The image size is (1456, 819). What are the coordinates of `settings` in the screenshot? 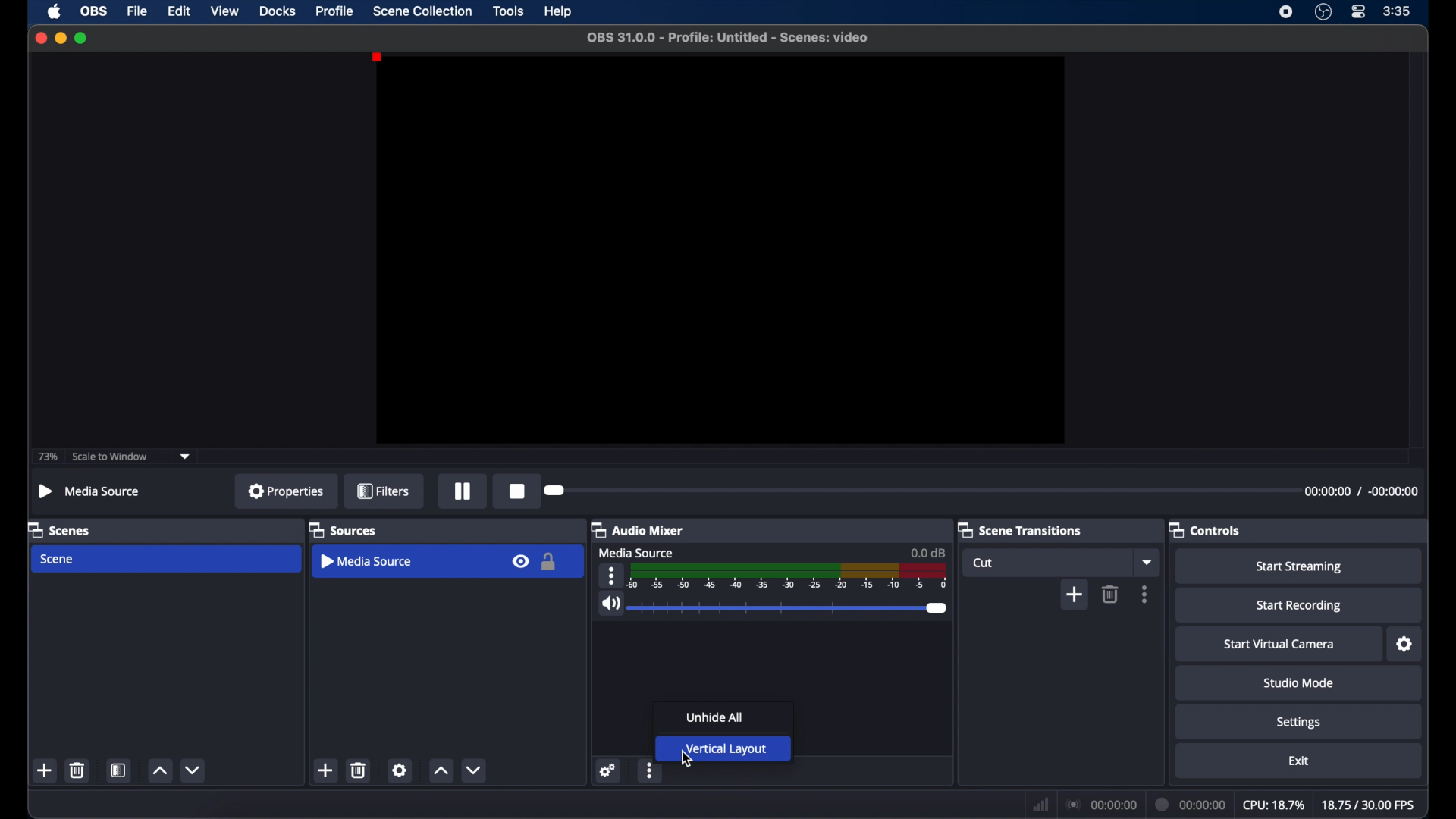 It's located at (1404, 644).